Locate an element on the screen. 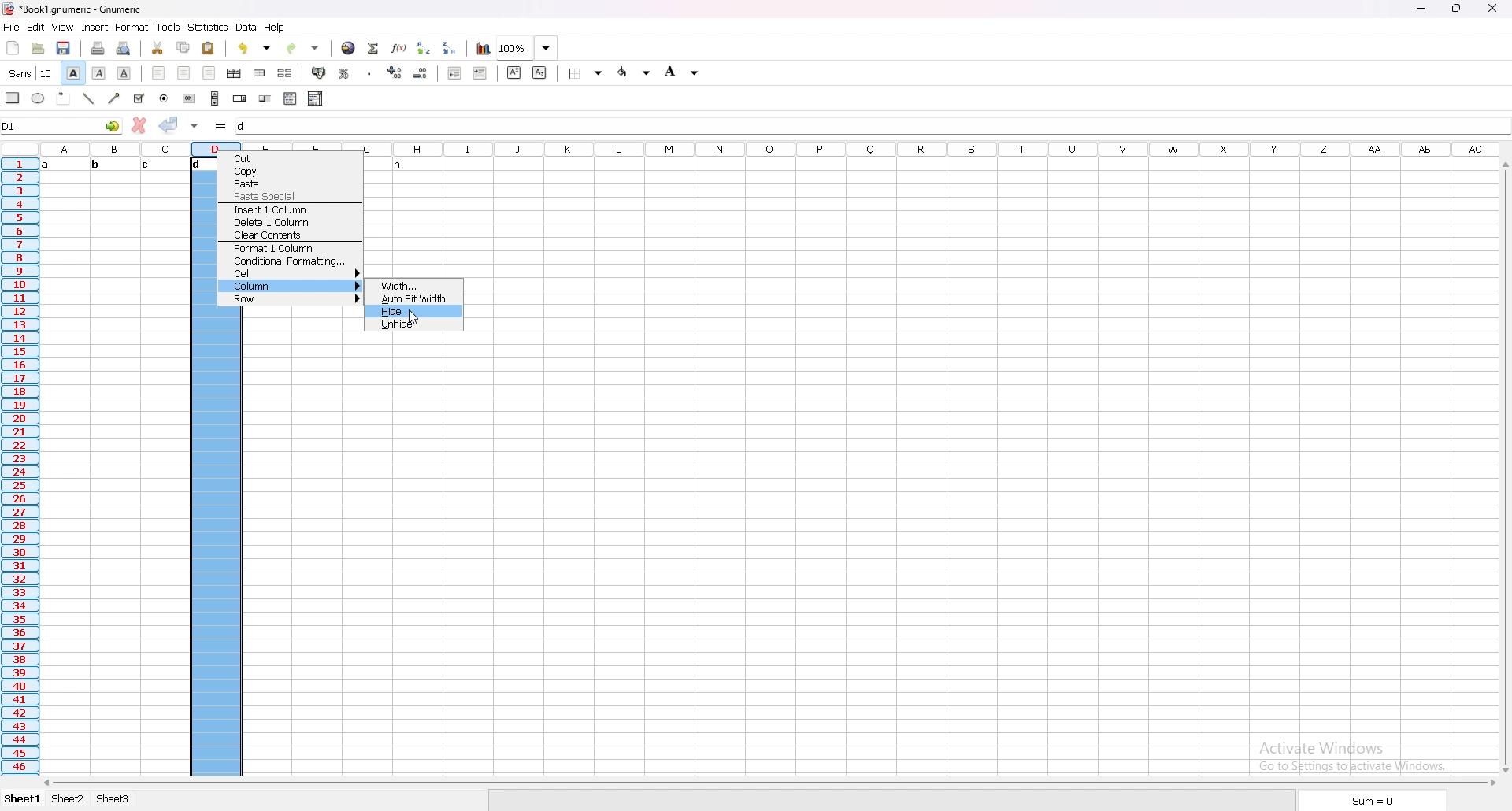 Image resolution: width=1512 pixels, height=811 pixels. paste is located at coordinates (291, 183).